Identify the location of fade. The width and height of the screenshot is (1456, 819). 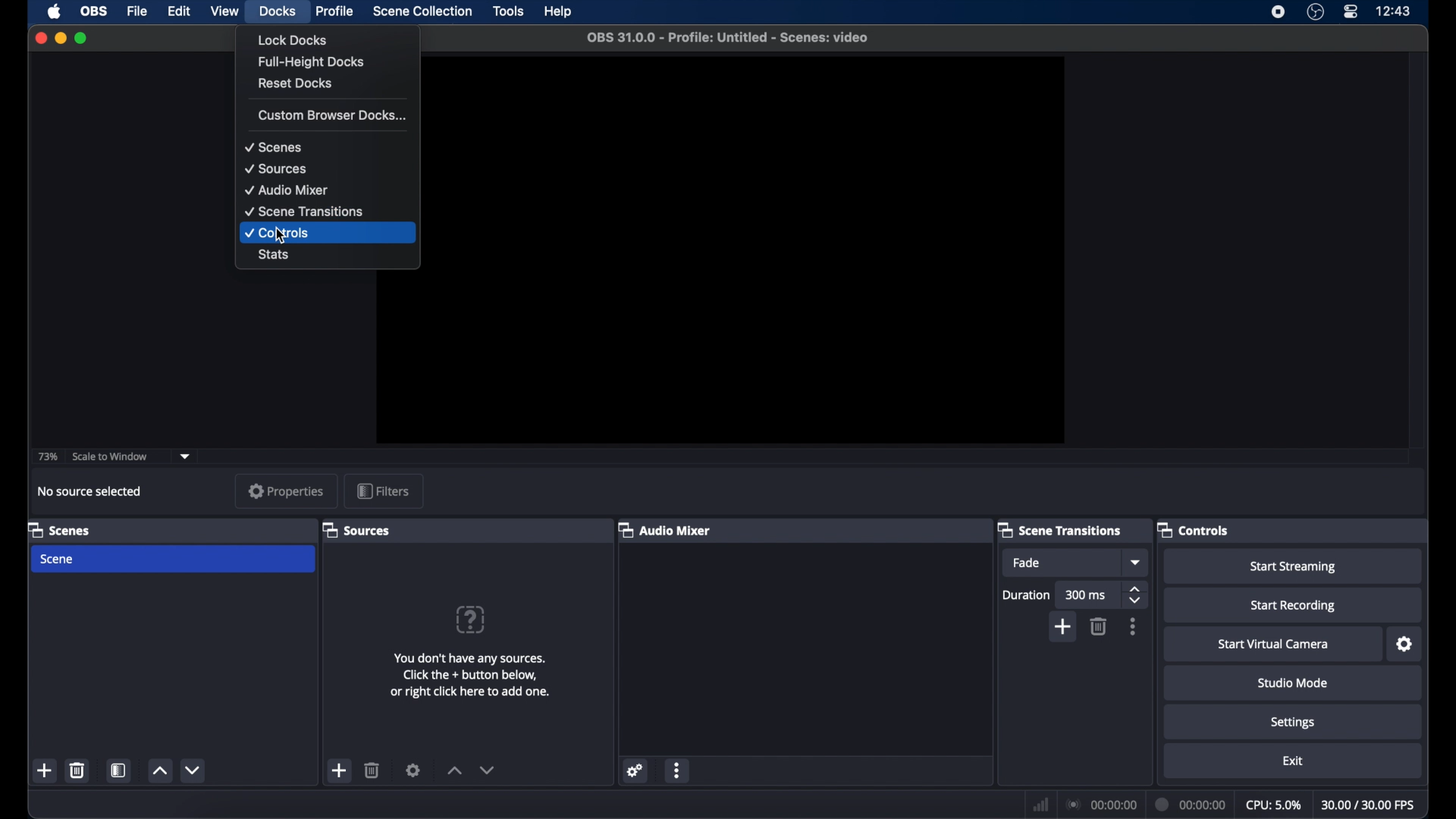
(1027, 563).